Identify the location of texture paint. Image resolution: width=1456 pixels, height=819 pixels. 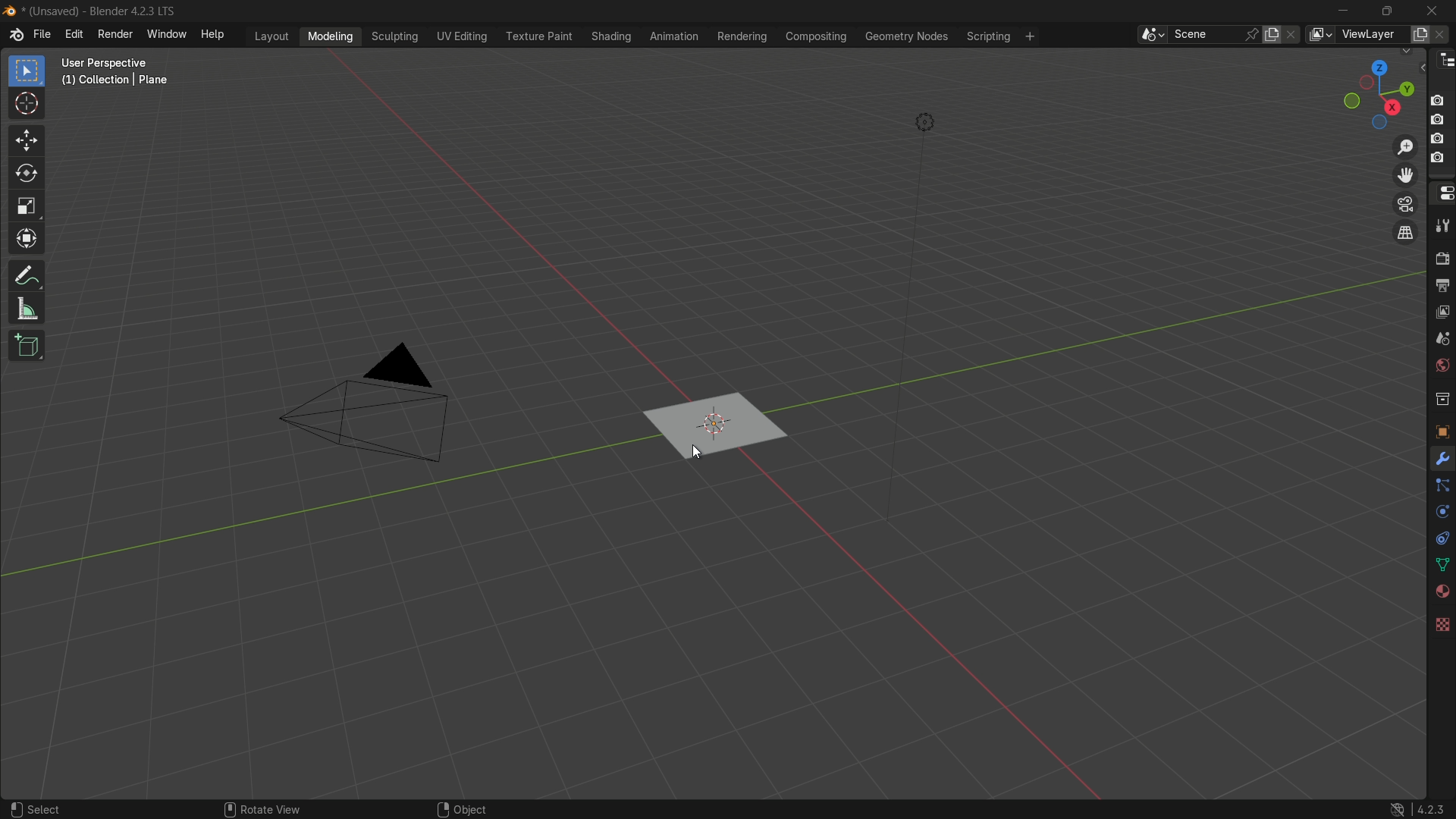
(539, 36).